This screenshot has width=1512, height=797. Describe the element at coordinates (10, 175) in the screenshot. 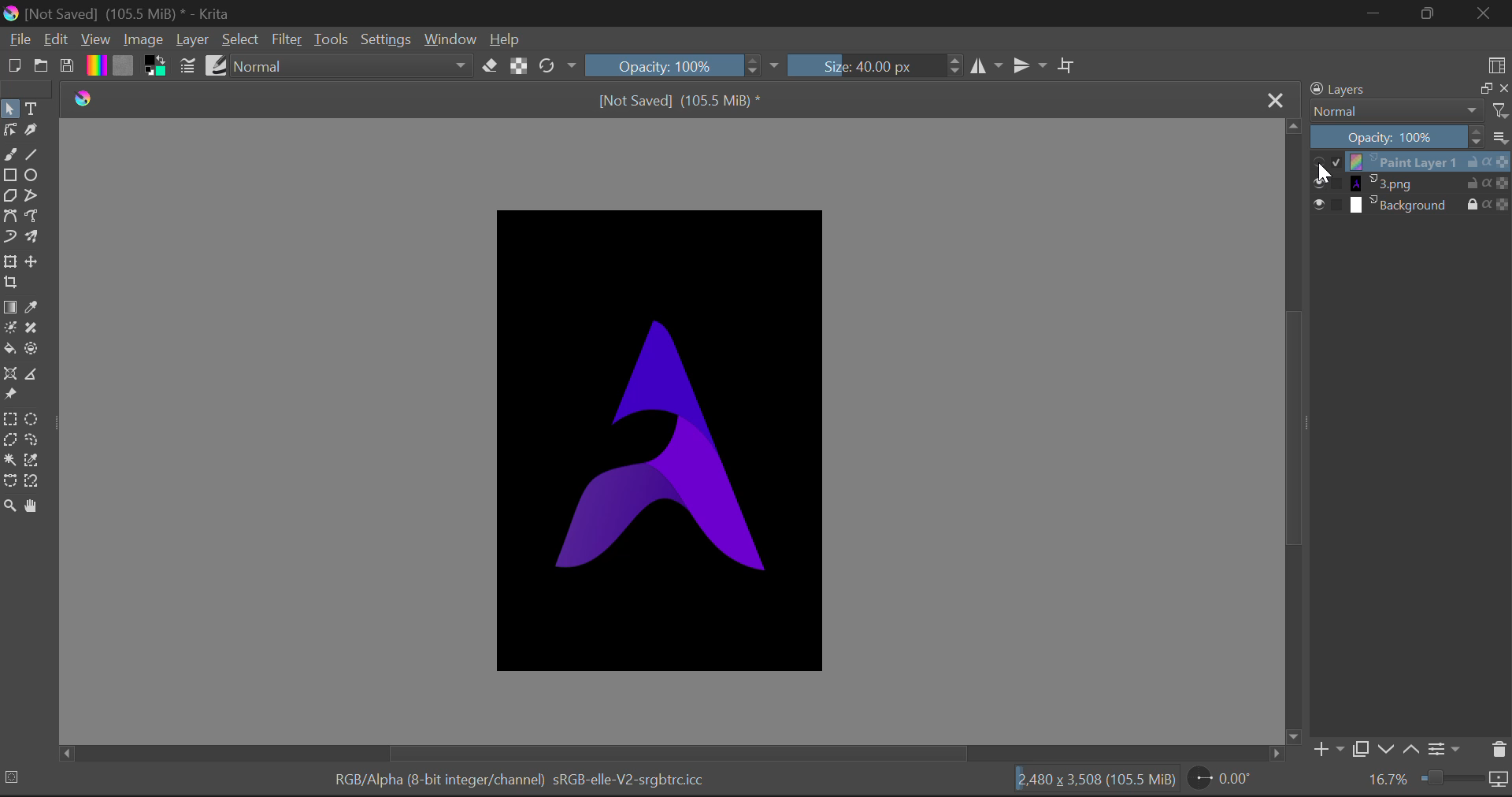

I see `Rectangle` at that location.